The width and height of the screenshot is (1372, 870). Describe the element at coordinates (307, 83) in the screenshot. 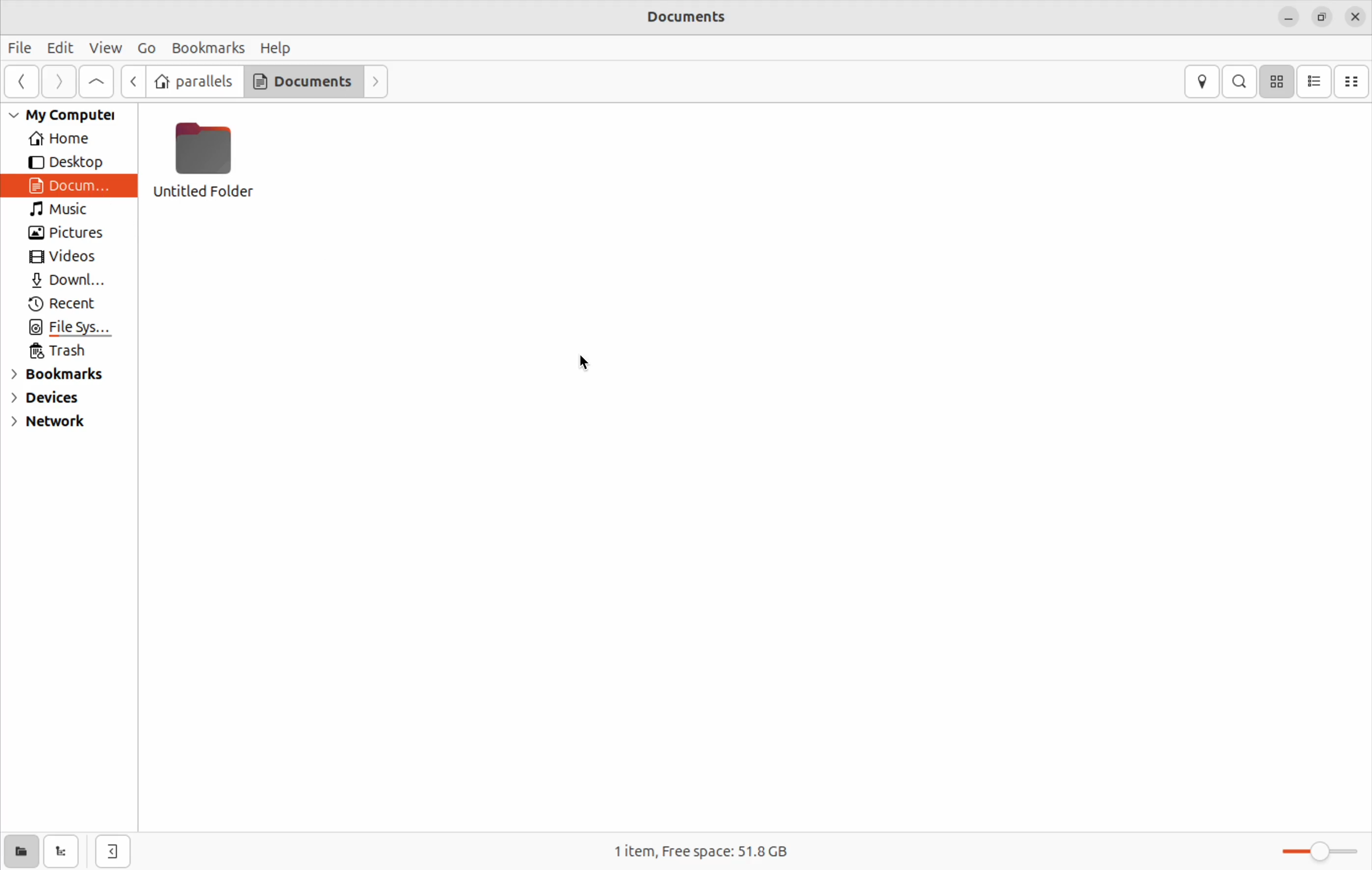

I see `Documents` at that location.